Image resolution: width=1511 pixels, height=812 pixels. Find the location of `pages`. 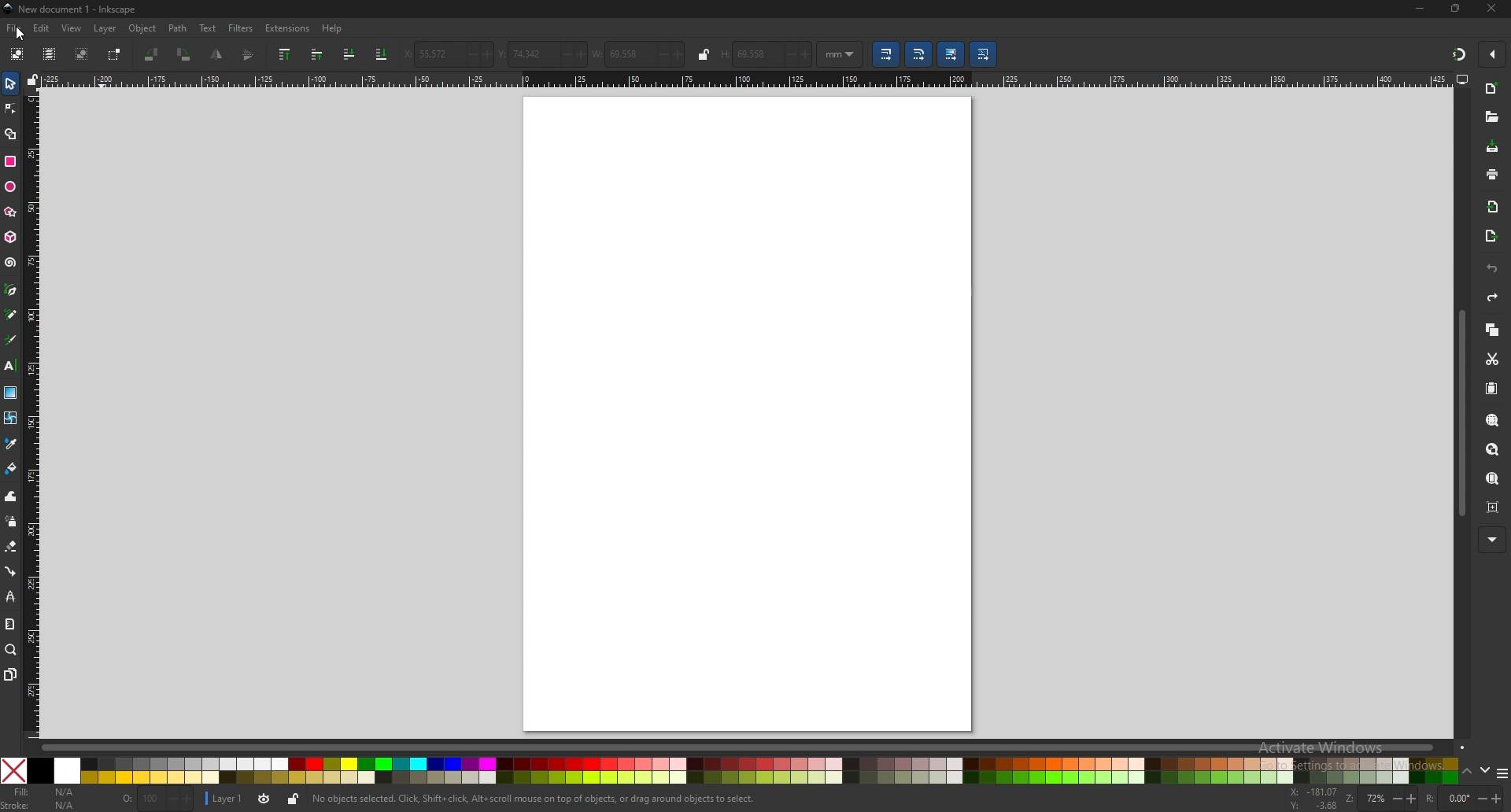

pages is located at coordinates (10, 674).